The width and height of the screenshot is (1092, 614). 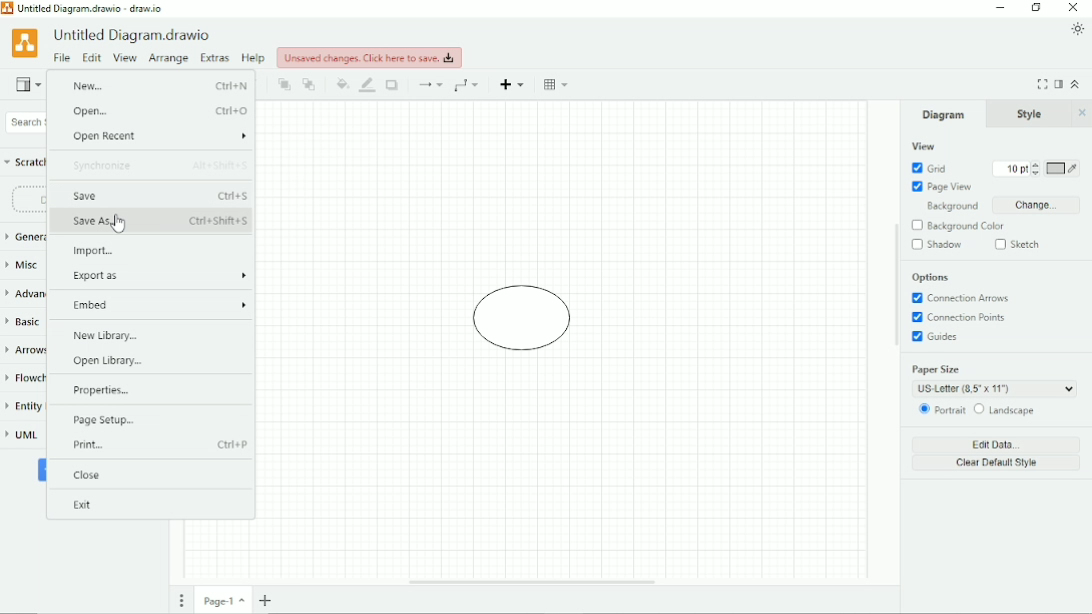 What do you see at coordinates (1017, 169) in the screenshot?
I see `Grid size` at bounding box center [1017, 169].